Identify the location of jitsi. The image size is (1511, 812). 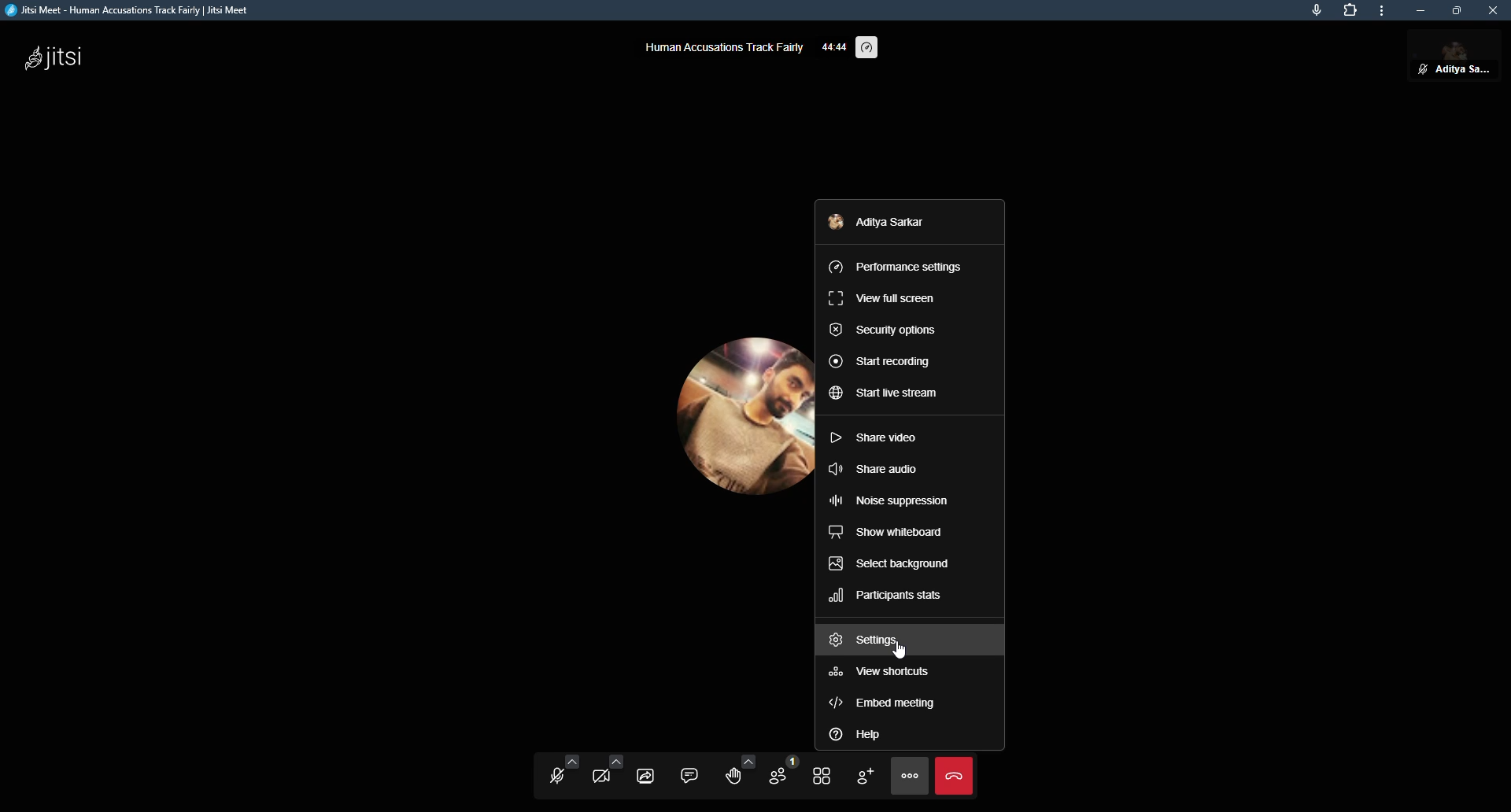
(135, 12).